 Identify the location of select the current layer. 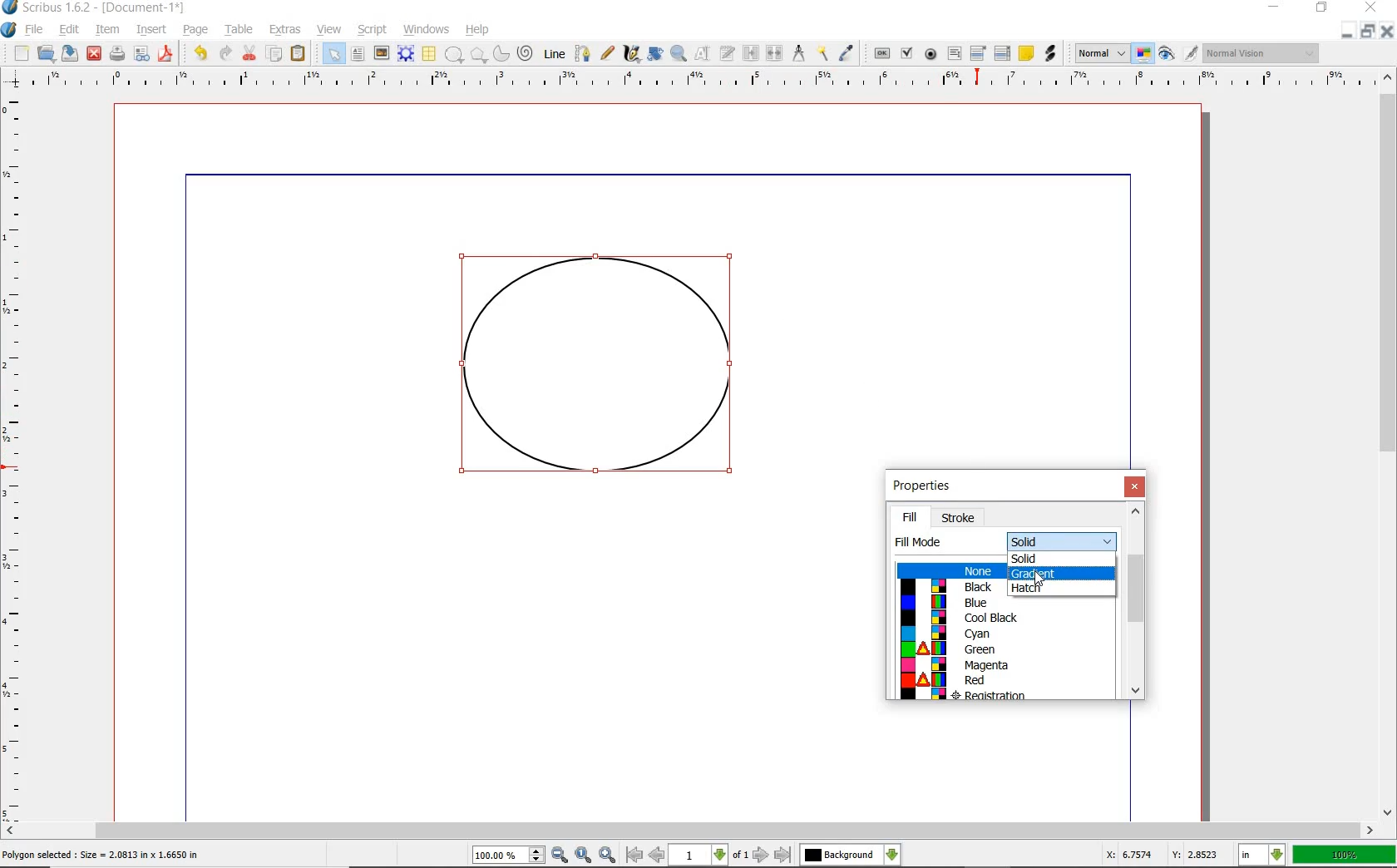
(892, 855).